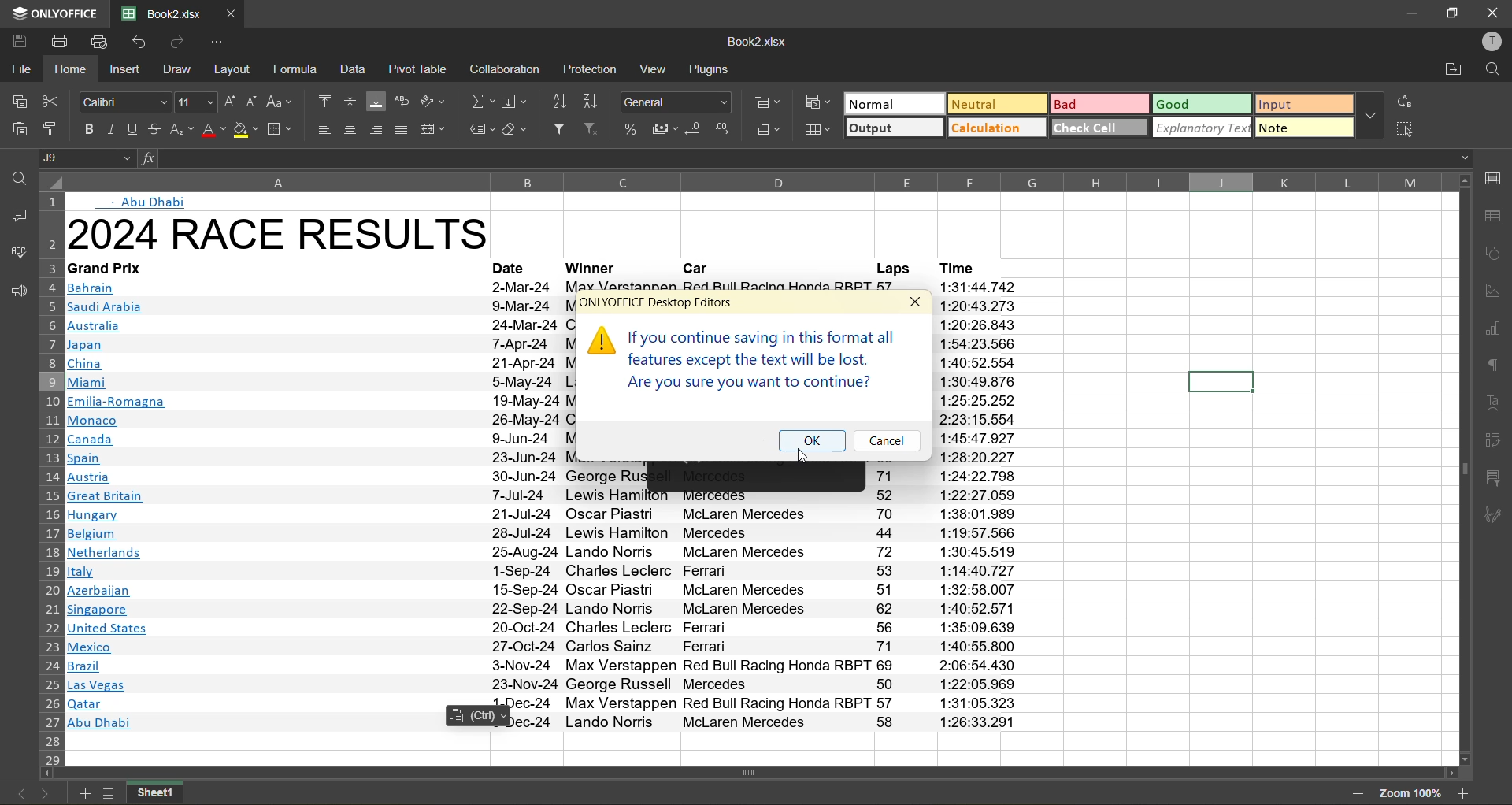 The image size is (1512, 805). I want to click on close, so click(918, 302).